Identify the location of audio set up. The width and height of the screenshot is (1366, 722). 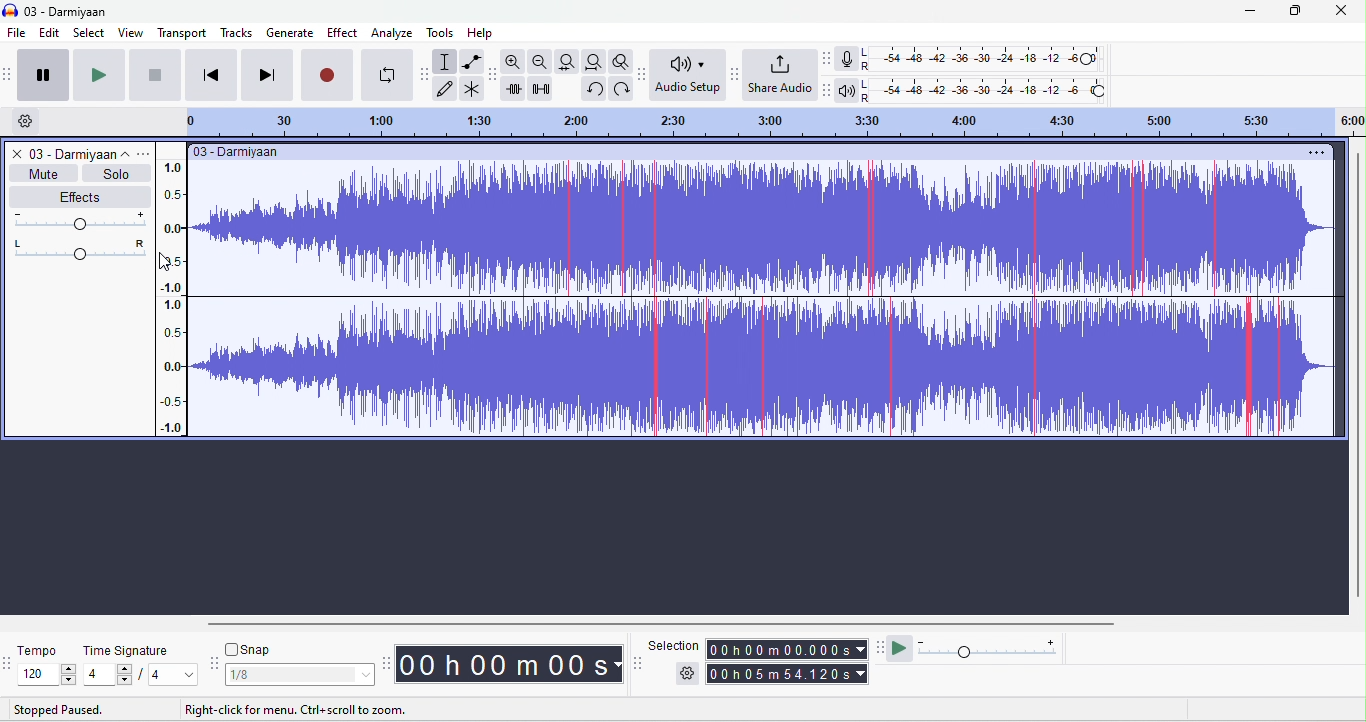
(689, 74).